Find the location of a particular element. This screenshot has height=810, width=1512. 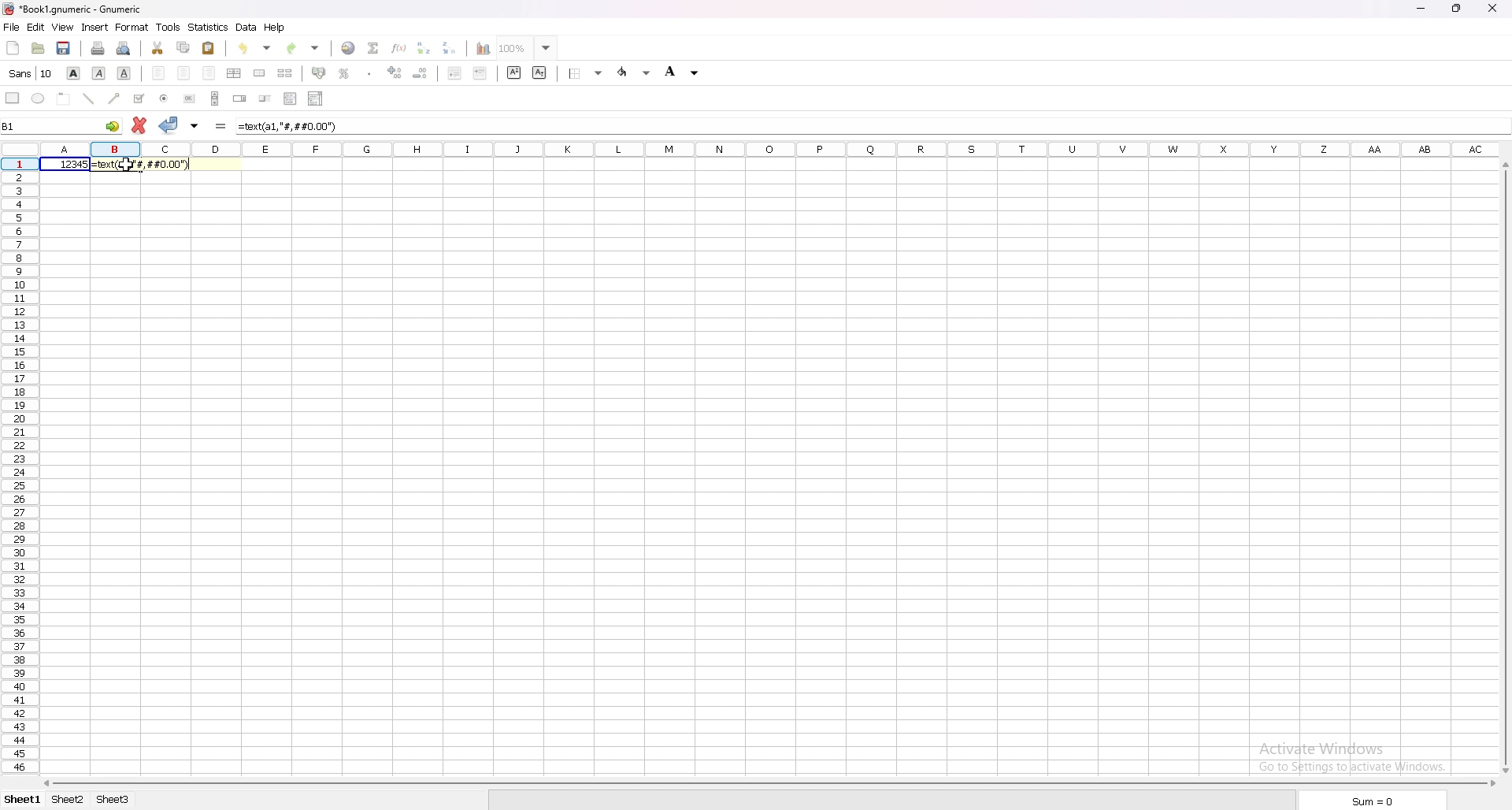

number is located at coordinates (67, 165).